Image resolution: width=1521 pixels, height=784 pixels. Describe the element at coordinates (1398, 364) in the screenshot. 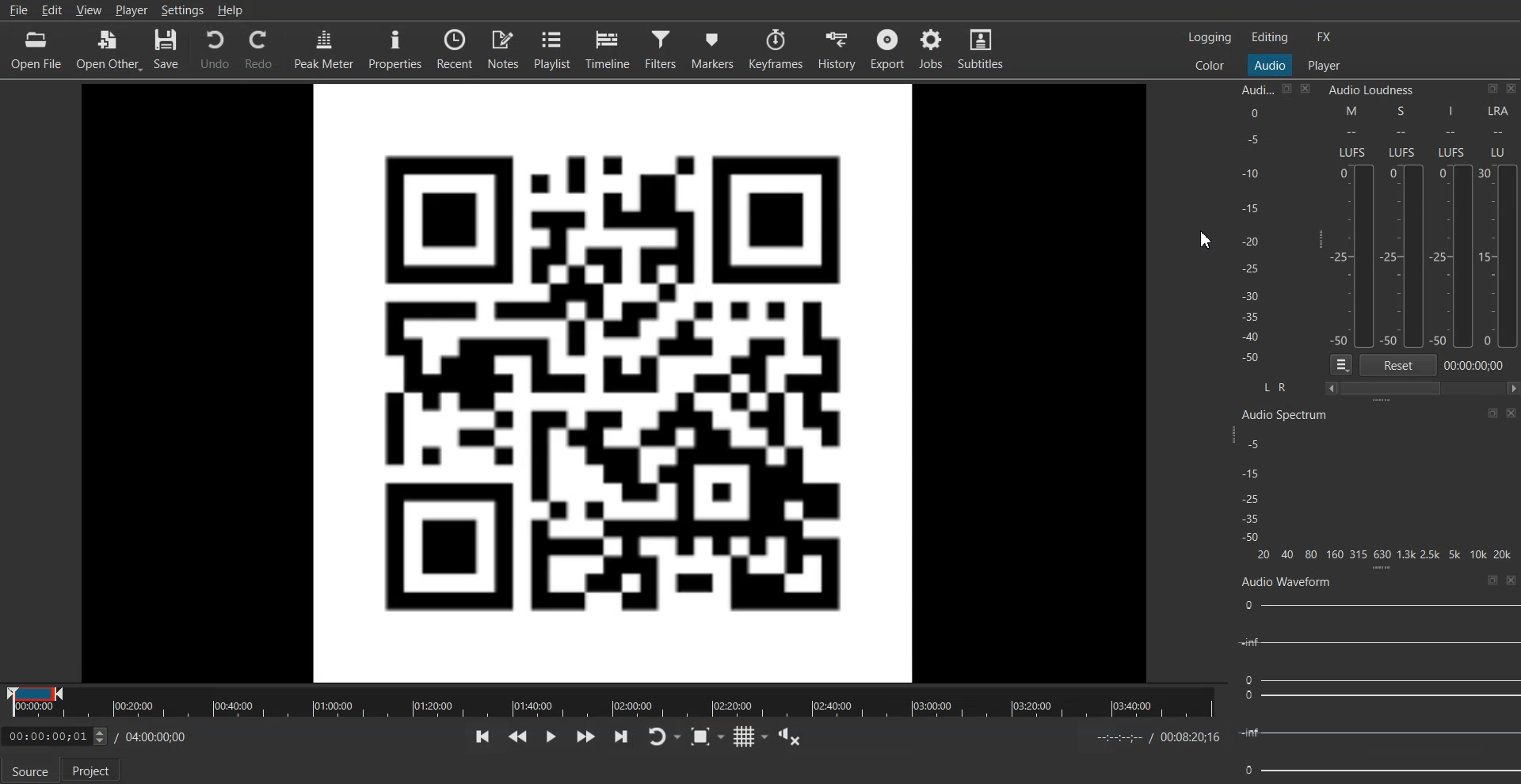

I see `Reset` at that location.